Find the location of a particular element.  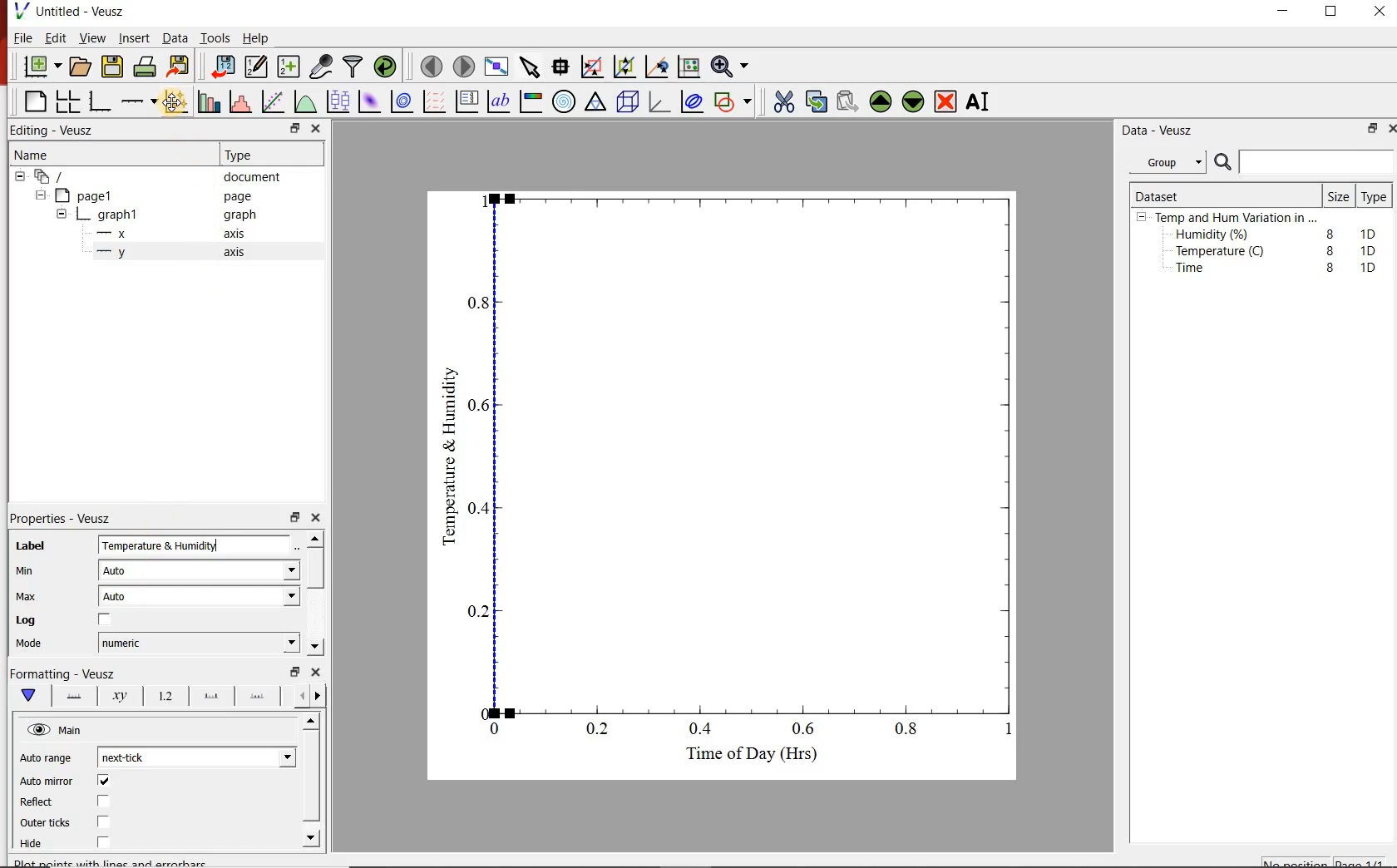

Cursor is located at coordinates (176, 105).